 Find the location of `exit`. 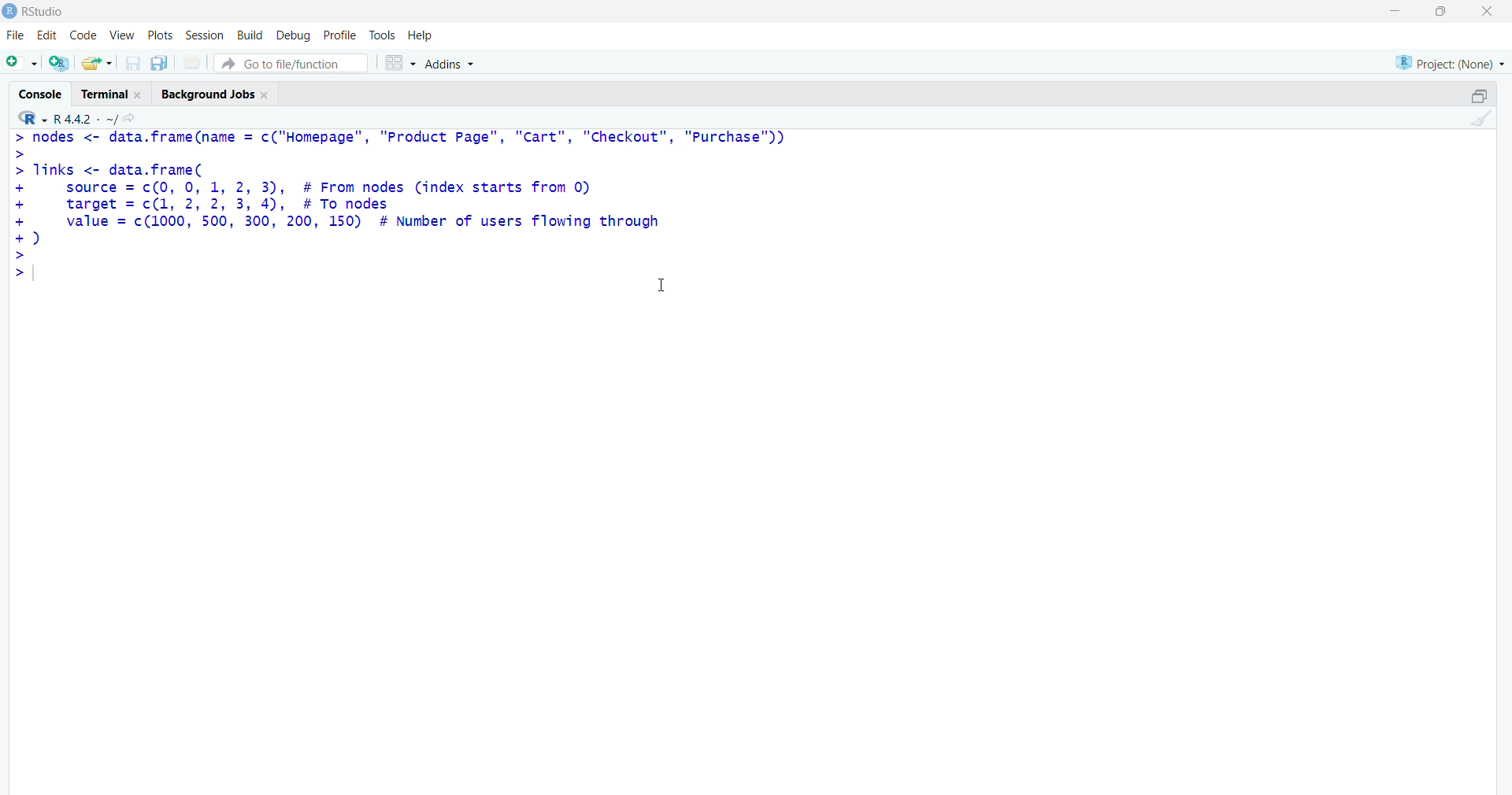

exit is located at coordinates (1485, 13).